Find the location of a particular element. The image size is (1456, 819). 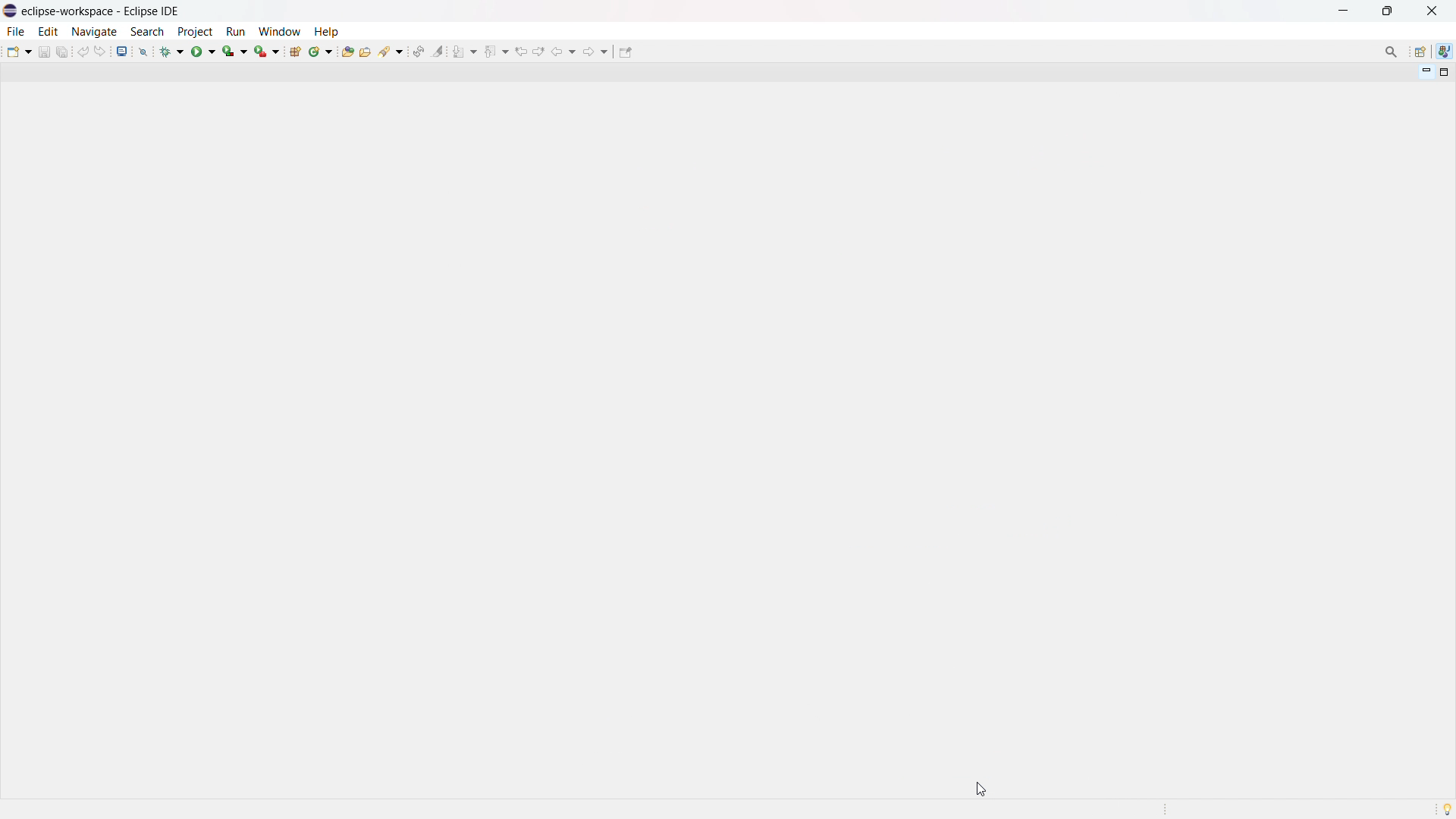

new java project is located at coordinates (297, 52).